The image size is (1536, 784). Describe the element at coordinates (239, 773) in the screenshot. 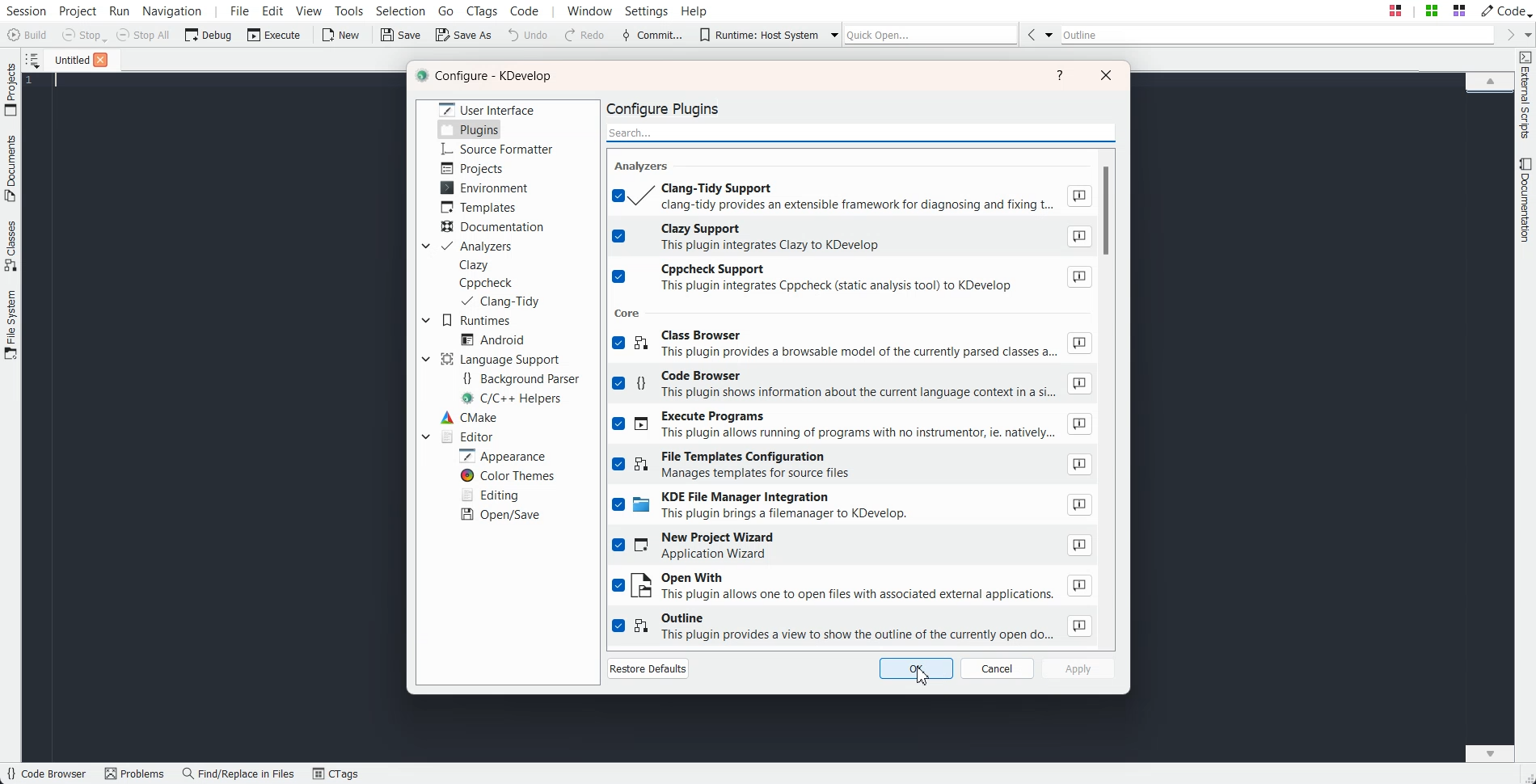

I see `Find/Replace in files` at that location.